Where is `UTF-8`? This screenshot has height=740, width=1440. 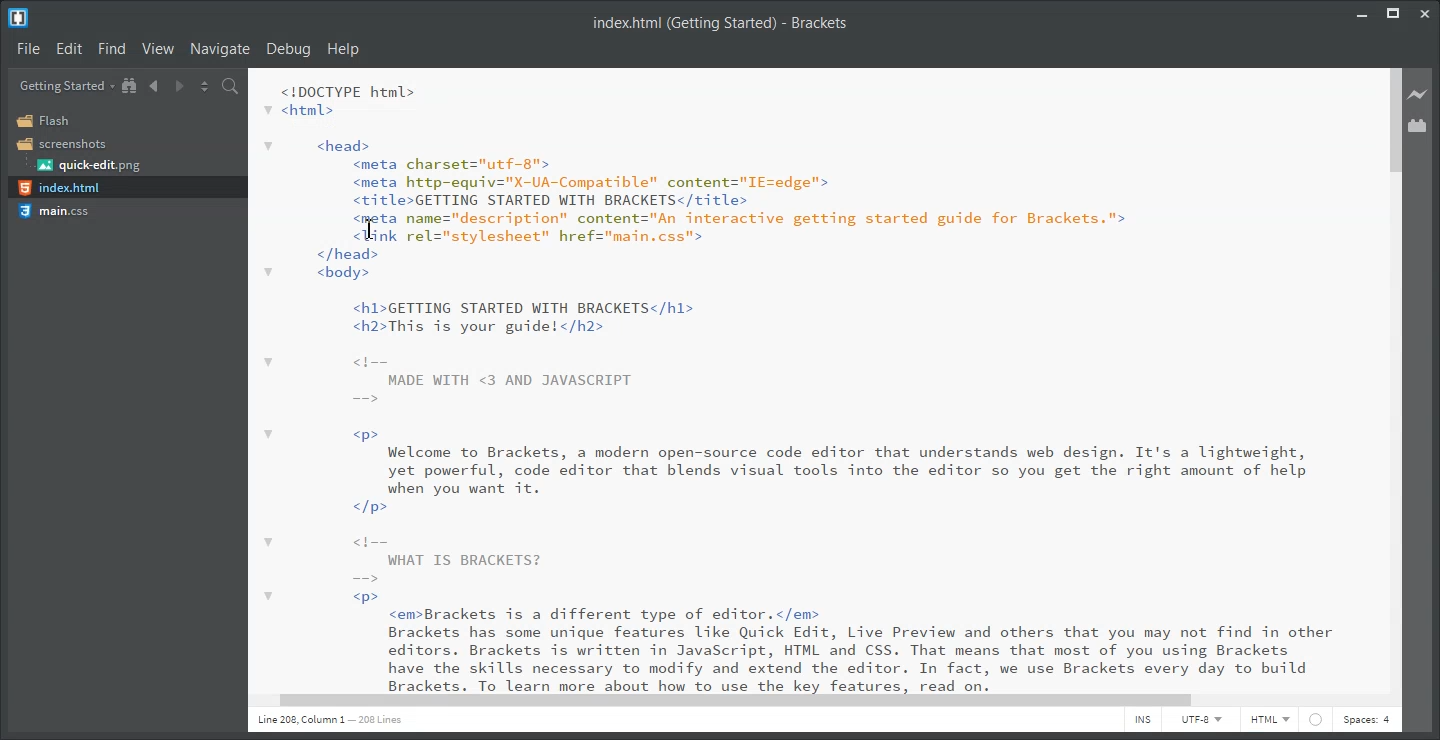
UTF-8 is located at coordinates (1206, 720).